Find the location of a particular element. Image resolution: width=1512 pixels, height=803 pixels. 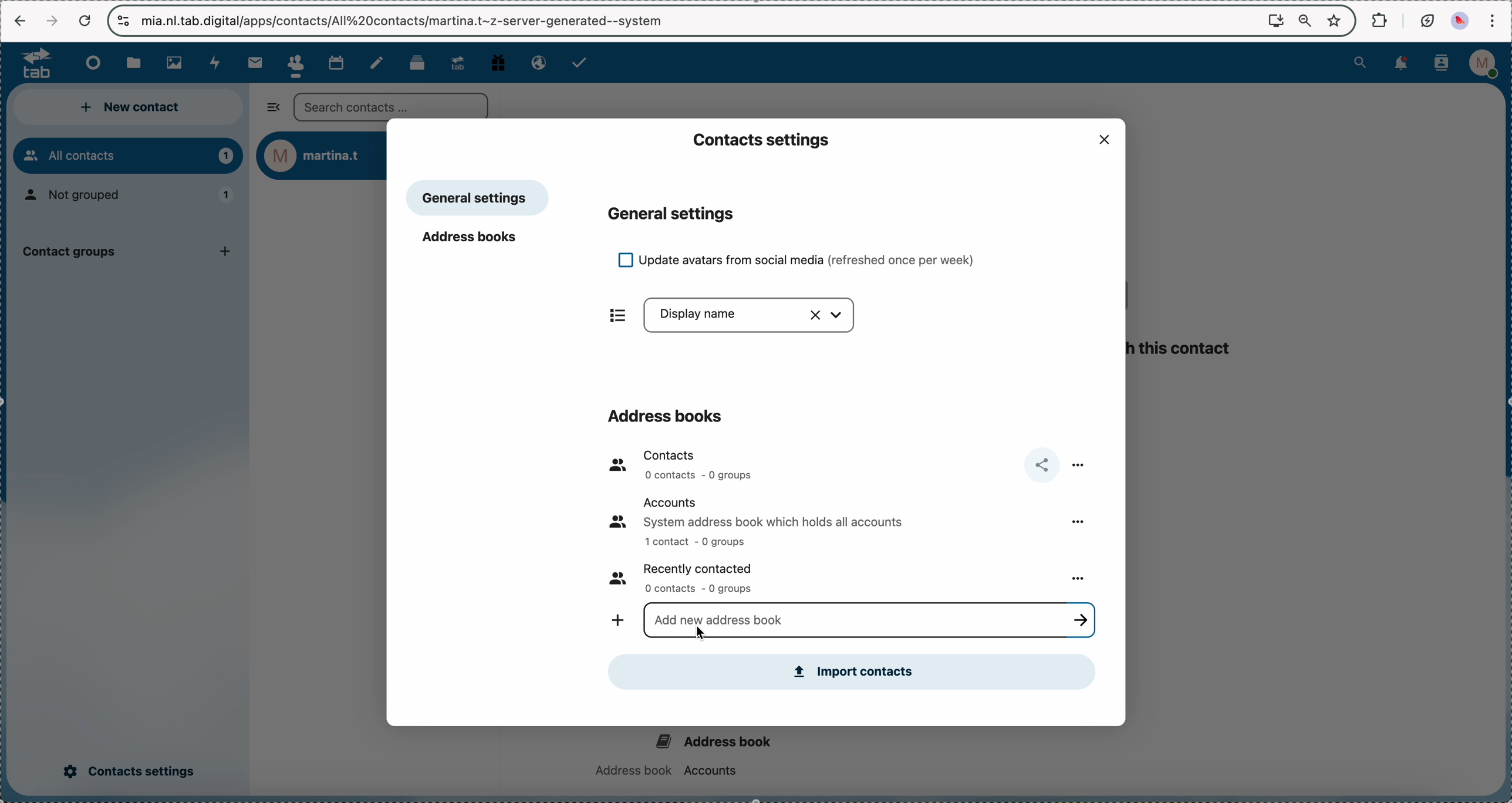

cancel is located at coordinates (86, 21).